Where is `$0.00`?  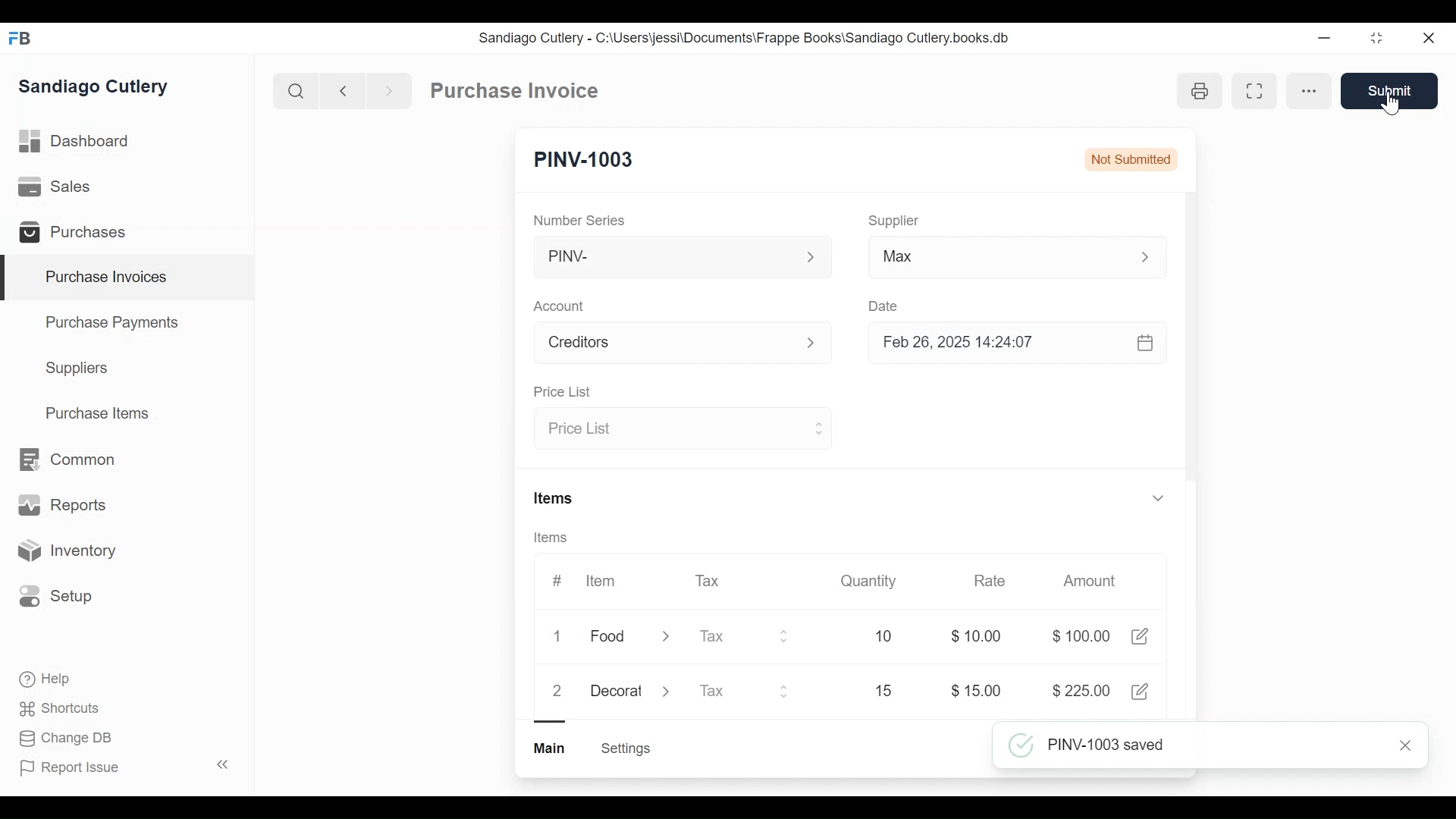 $0.00 is located at coordinates (981, 636).